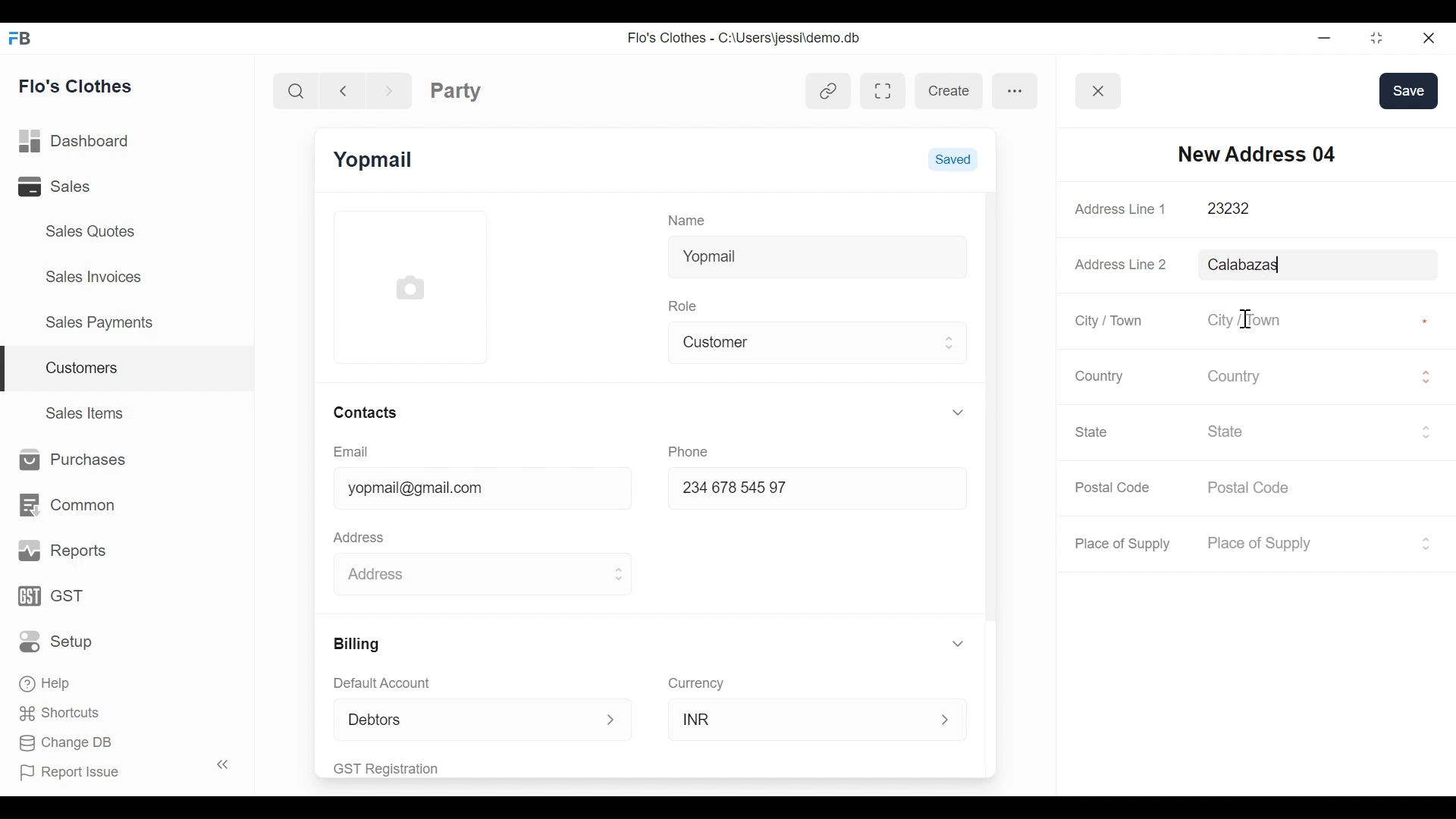  I want to click on Dashboard, so click(79, 142).